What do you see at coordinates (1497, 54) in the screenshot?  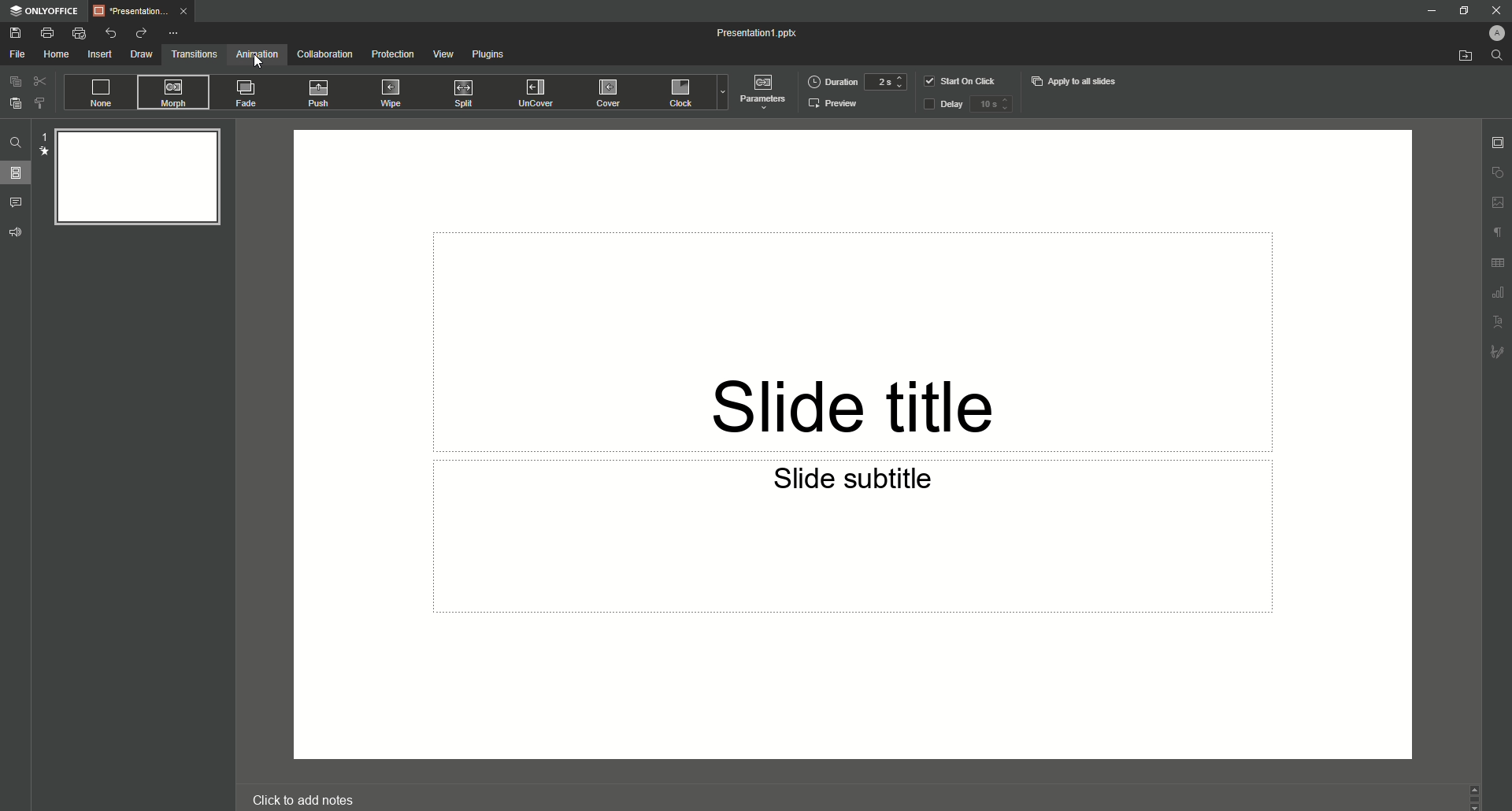 I see `Find` at bounding box center [1497, 54].